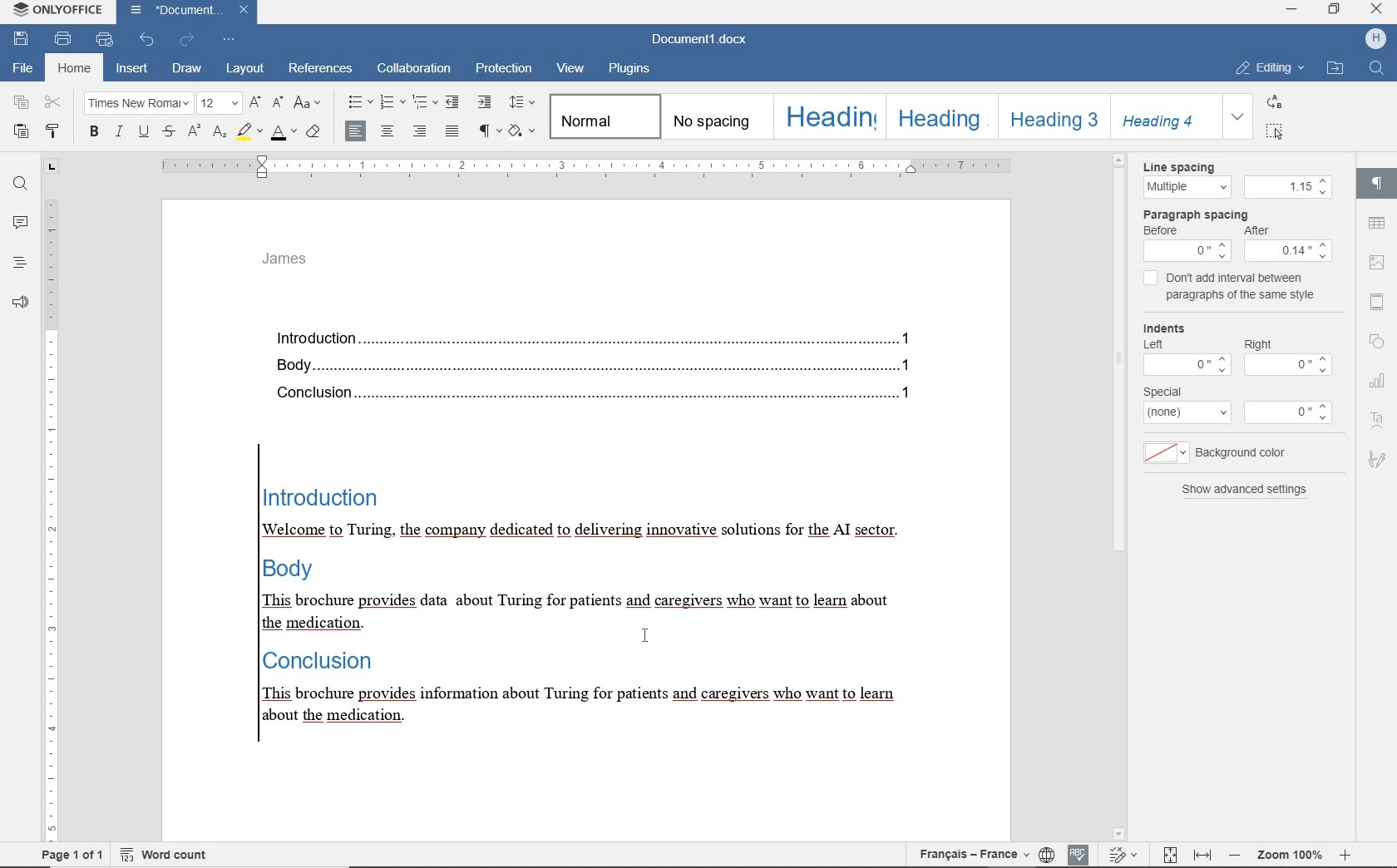 This screenshot has width=1397, height=868. Describe the element at coordinates (19, 264) in the screenshot. I see `headings` at that location.